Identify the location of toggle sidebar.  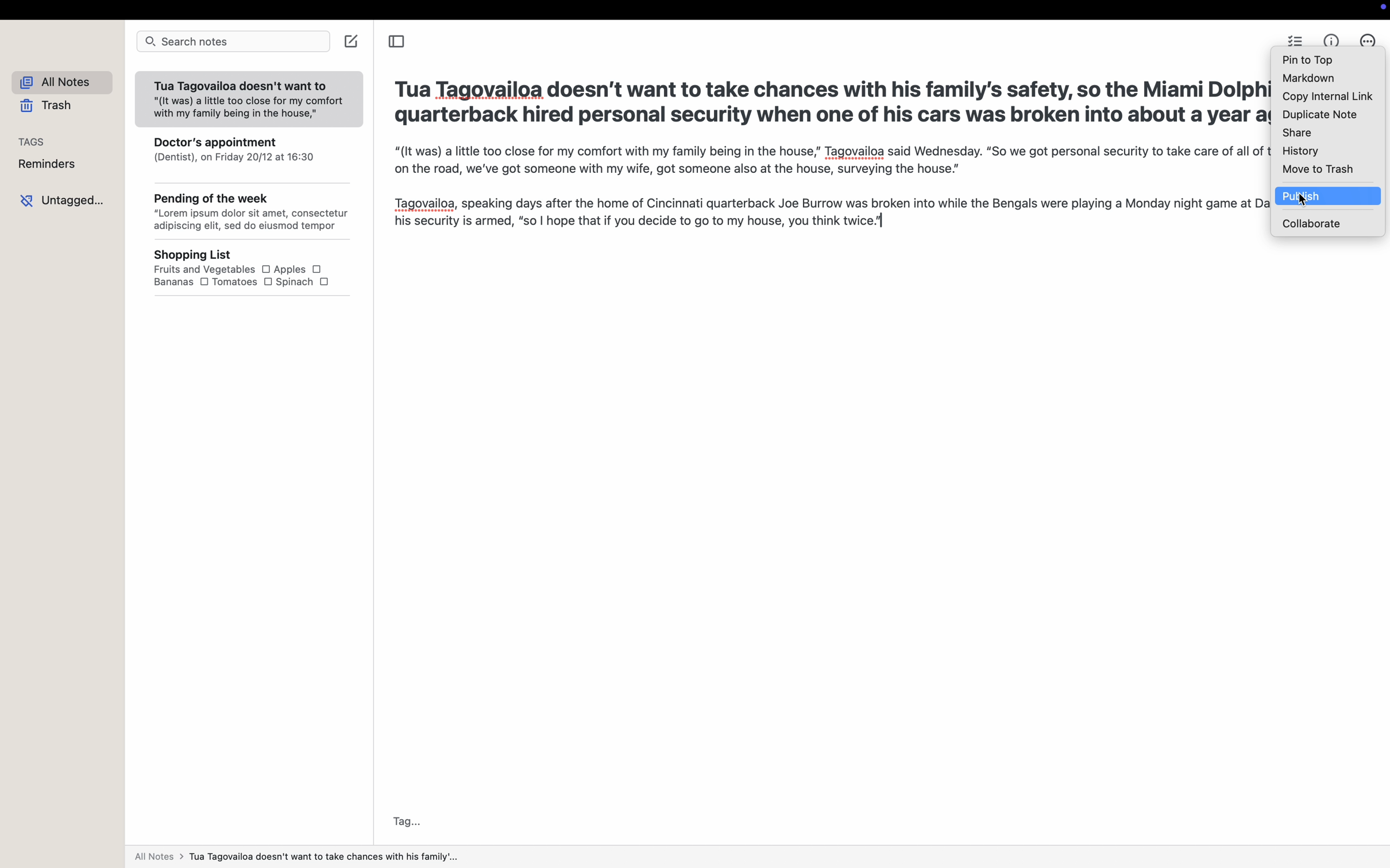
(395, 43).